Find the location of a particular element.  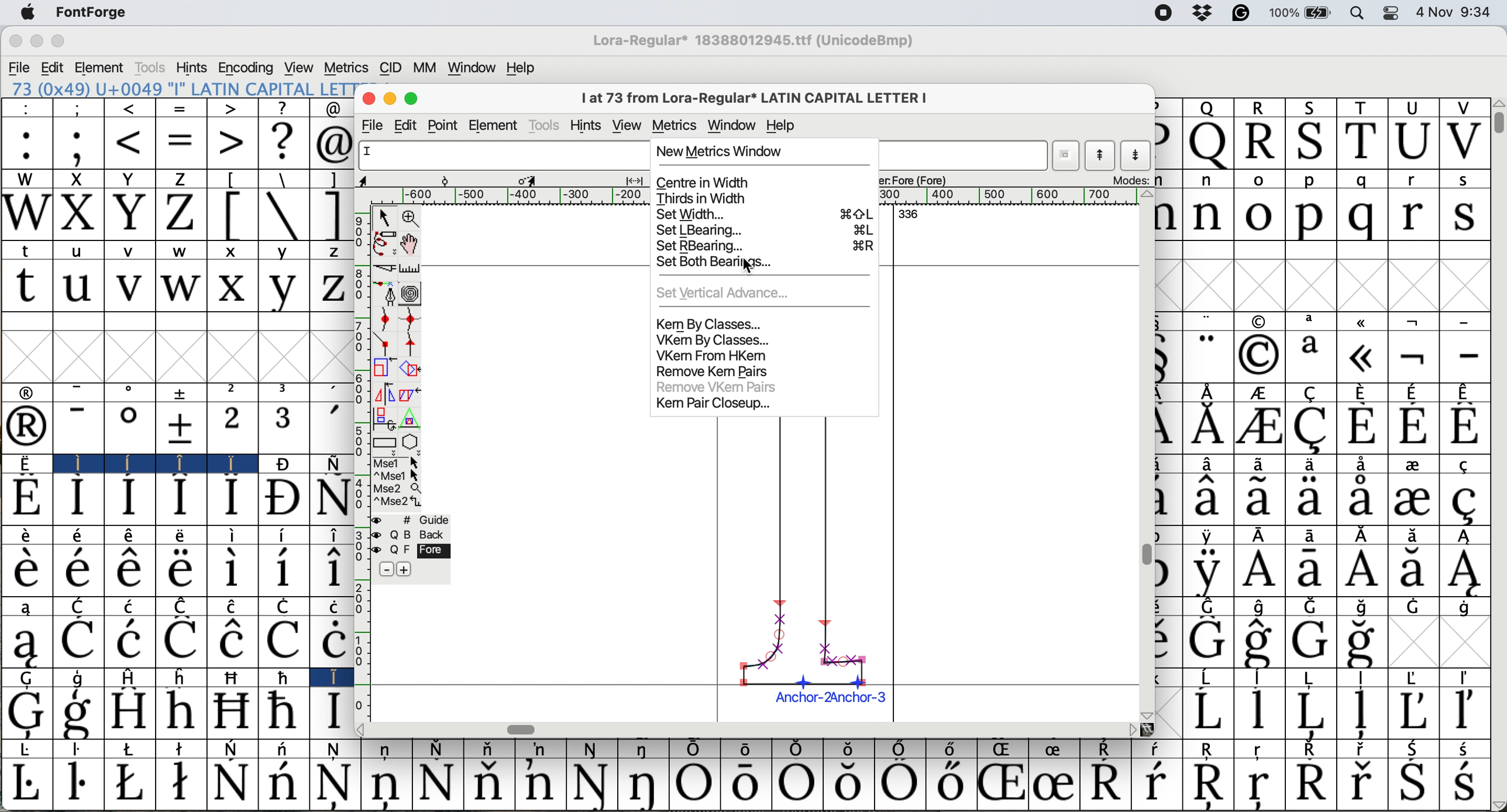

Symbol is located at coordinates (1465, 391).